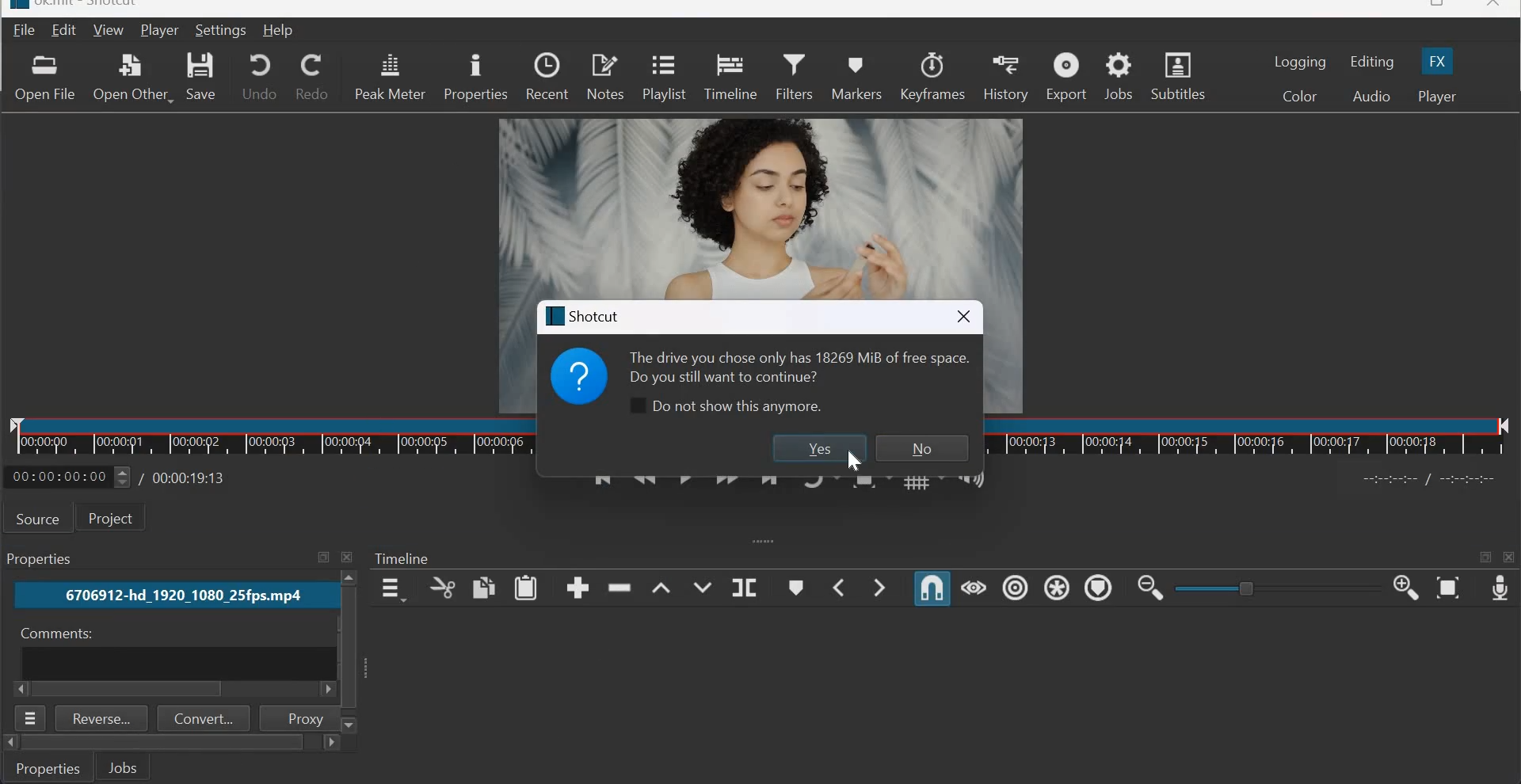 The width and height of the screenshot is (1521, 784). I want to click on Audio, so click(1371, 97).